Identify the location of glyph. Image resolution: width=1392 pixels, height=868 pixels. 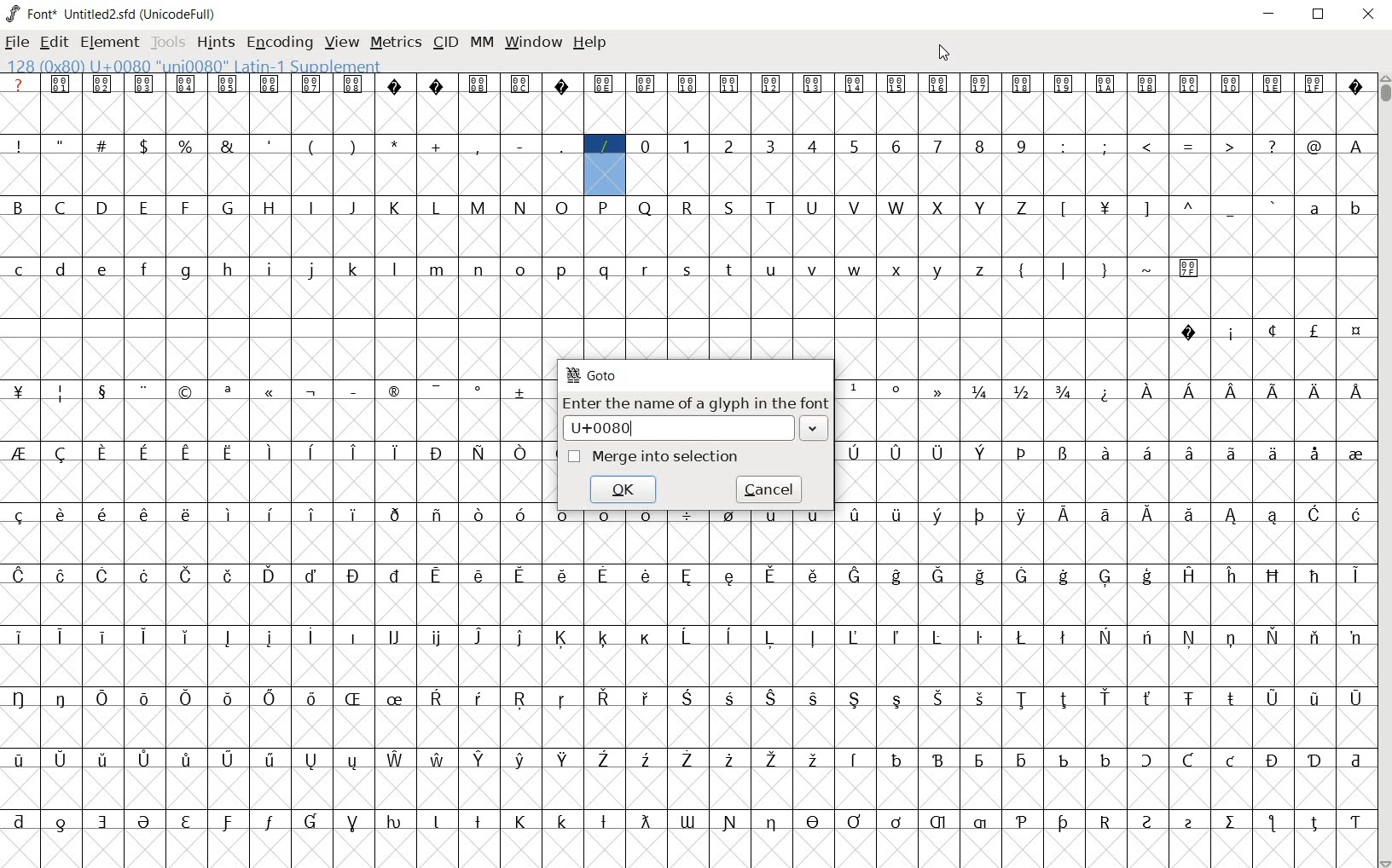
(729, 577).